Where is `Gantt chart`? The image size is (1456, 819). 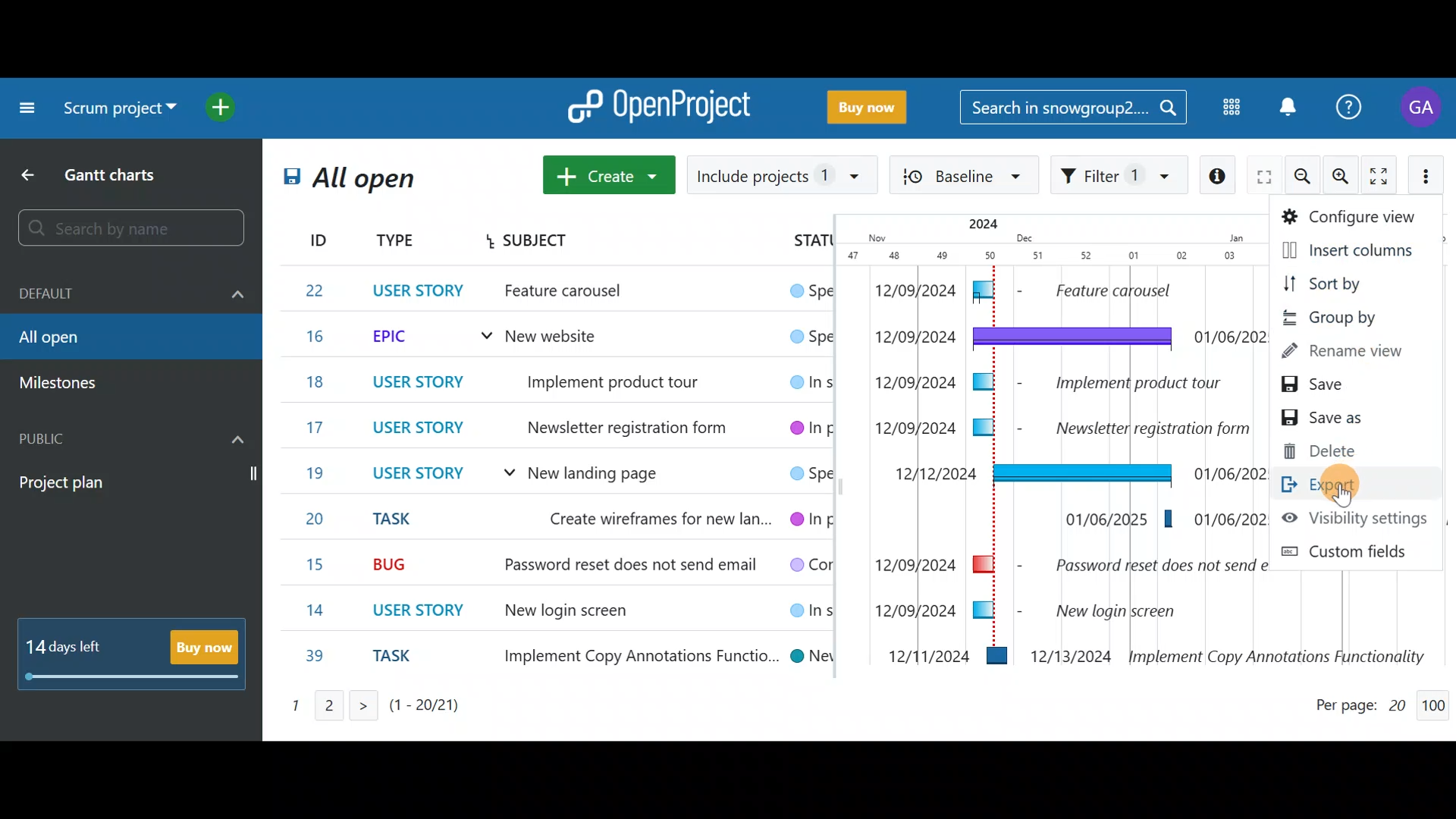 Gantt chart is located at coordinates (1034, 441).